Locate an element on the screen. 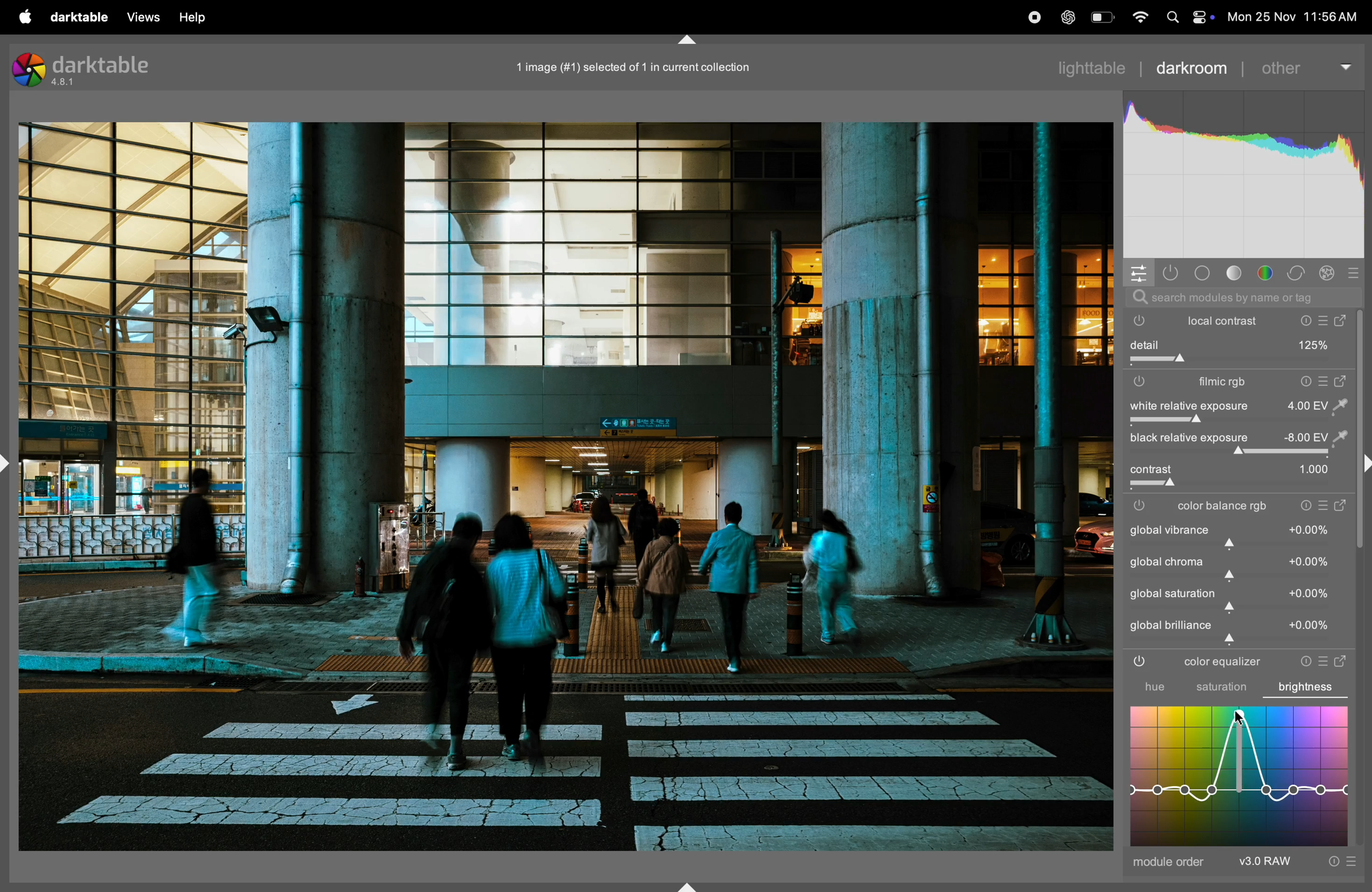 Image resolution: width=1372 pixels, height=892 pixels. value is located at coordinates (1310, 529).